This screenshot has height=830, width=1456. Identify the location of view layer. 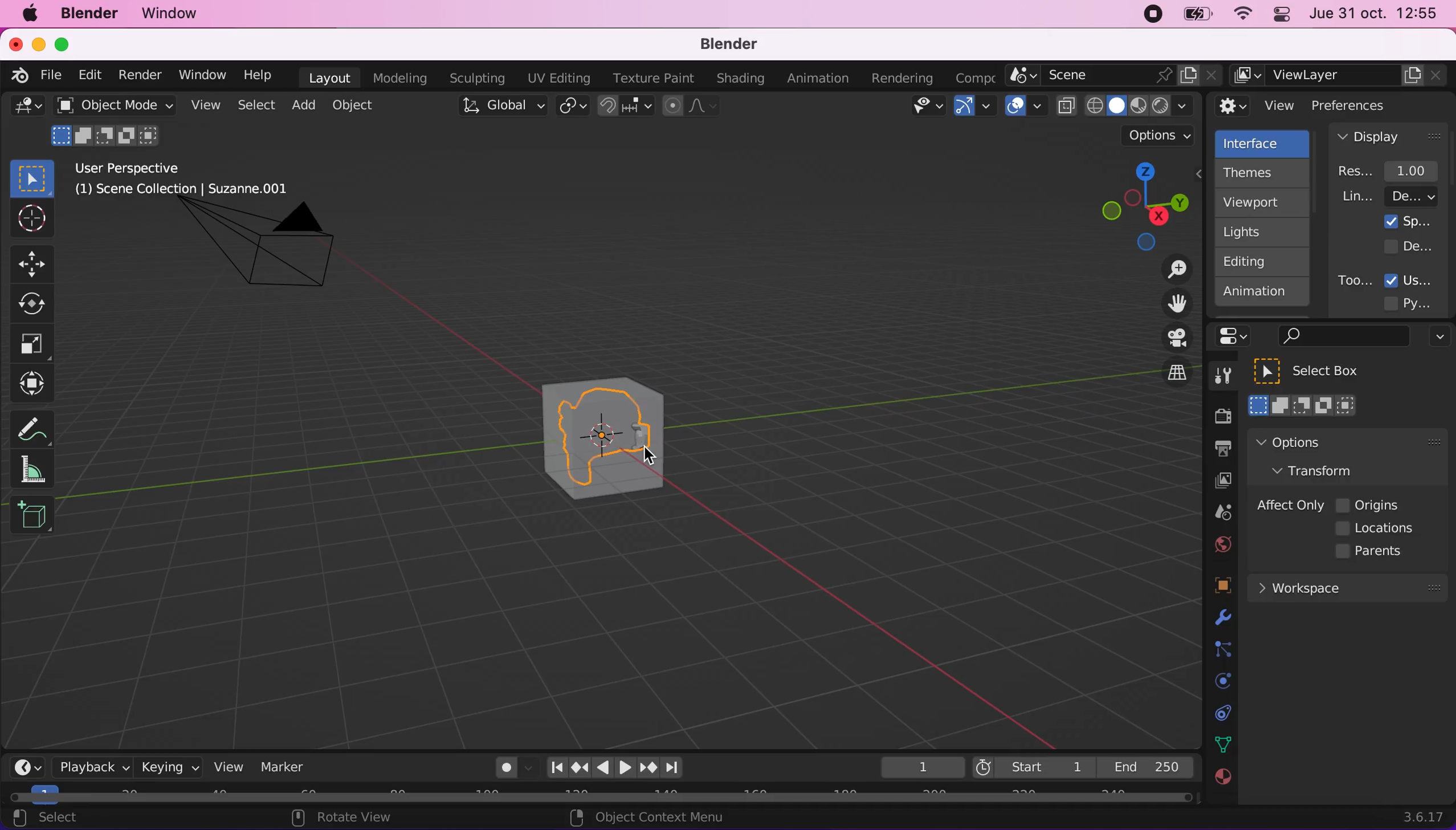
(1217, 482).